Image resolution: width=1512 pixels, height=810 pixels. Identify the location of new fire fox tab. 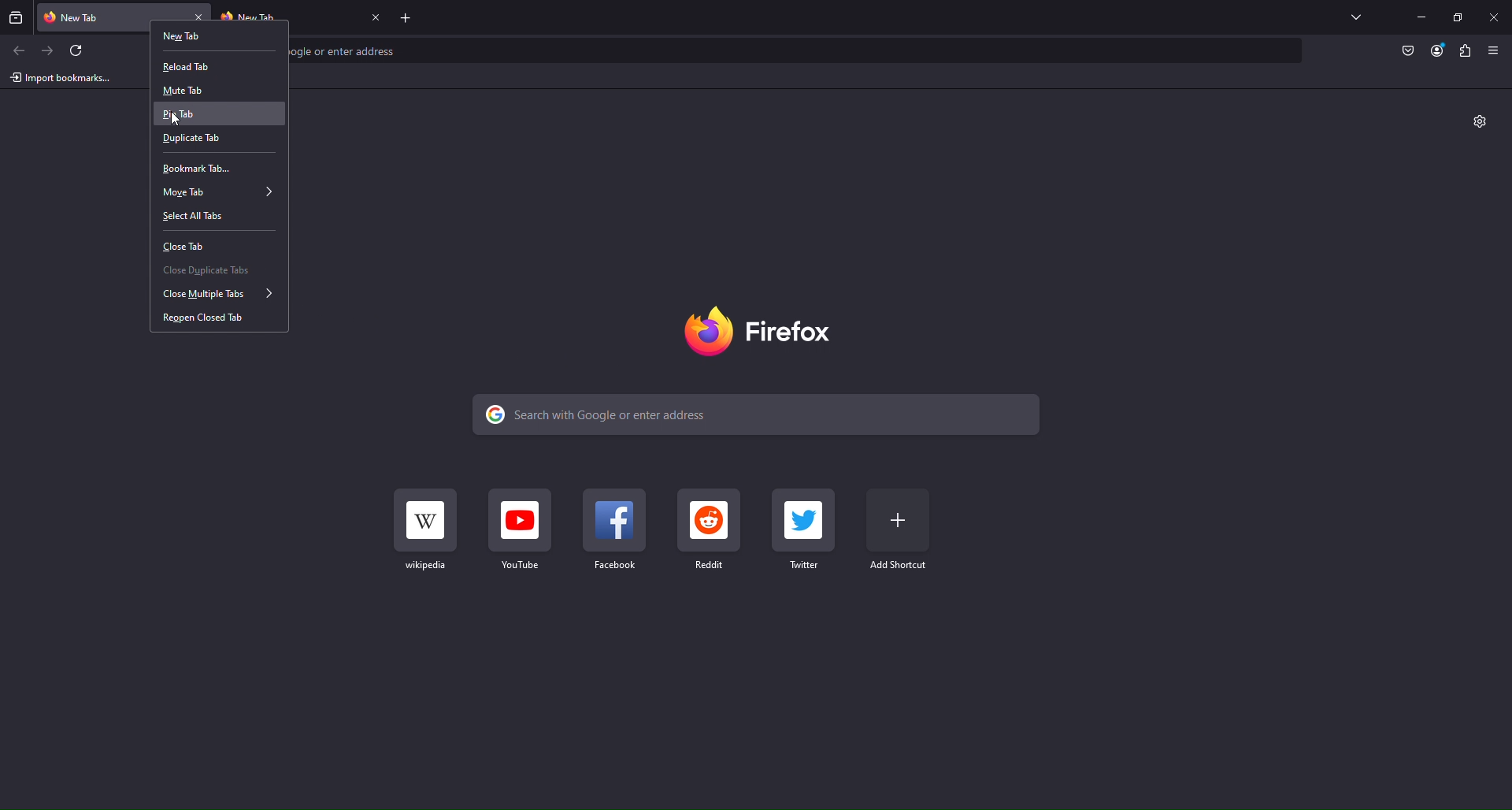
(287, 14).